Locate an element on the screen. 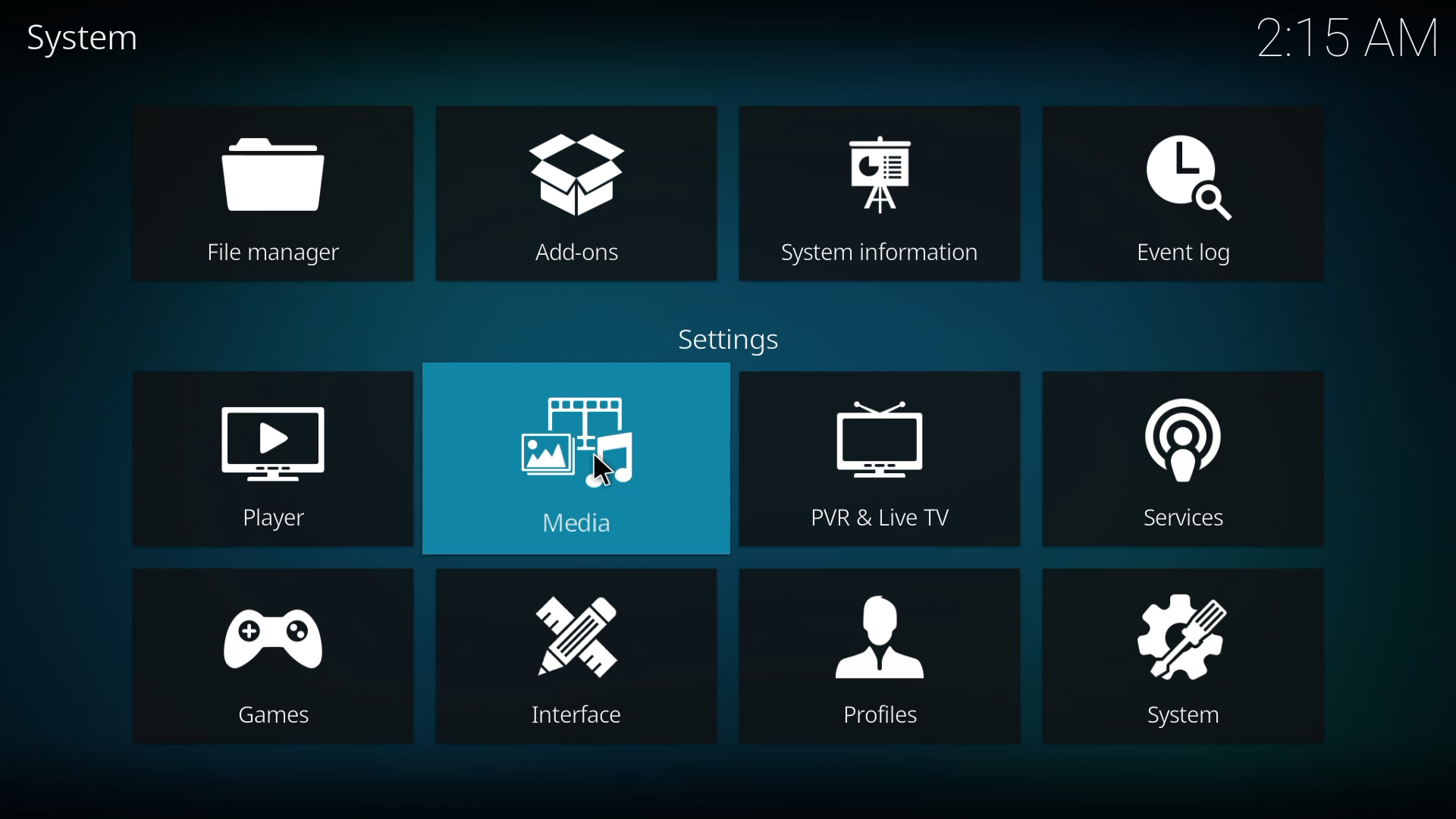 This screenshot has height=819, width=1456. event log is located at coordinates (1193, 195).